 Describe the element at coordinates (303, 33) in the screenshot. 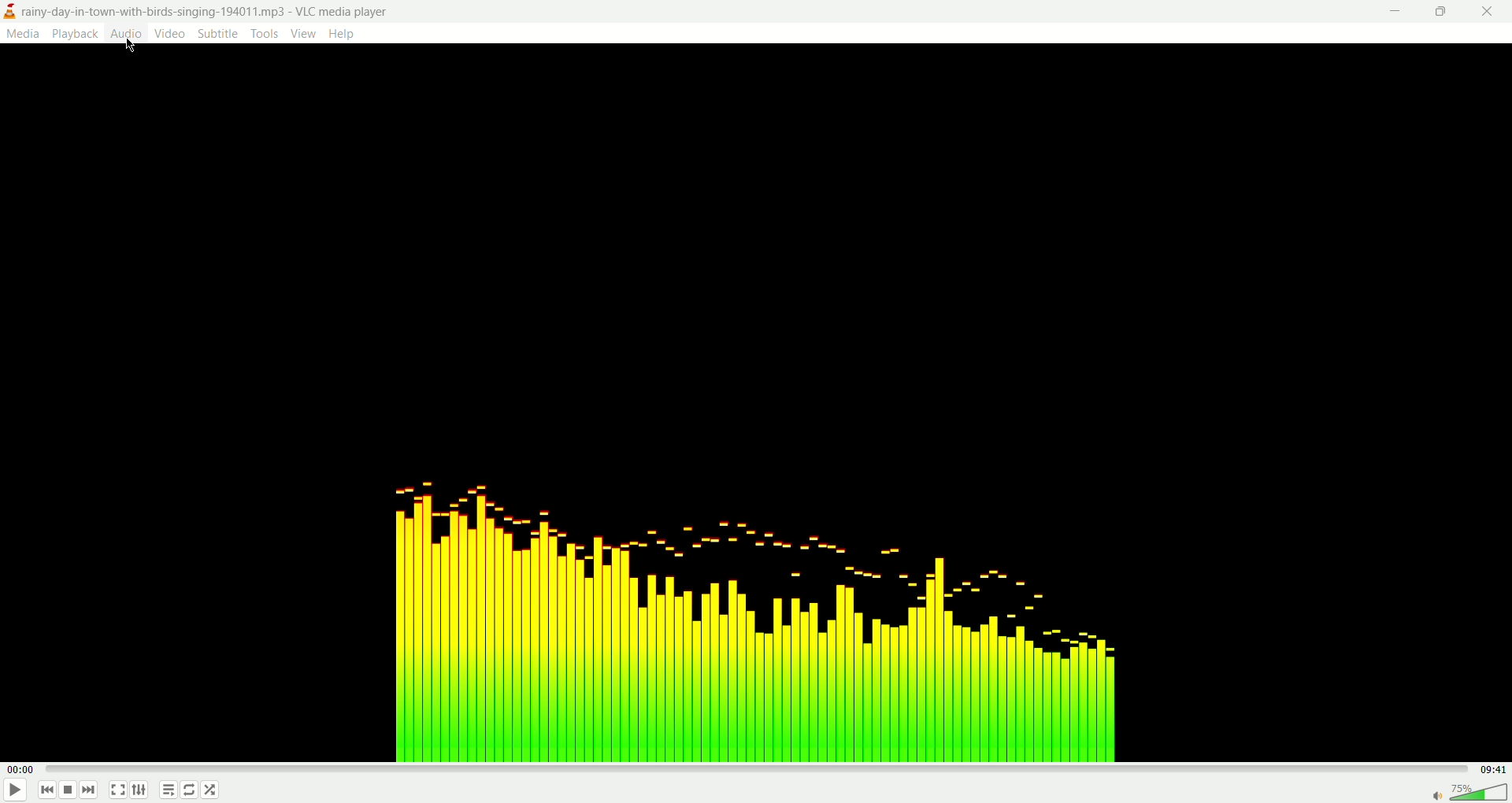

I see `views` at that location.